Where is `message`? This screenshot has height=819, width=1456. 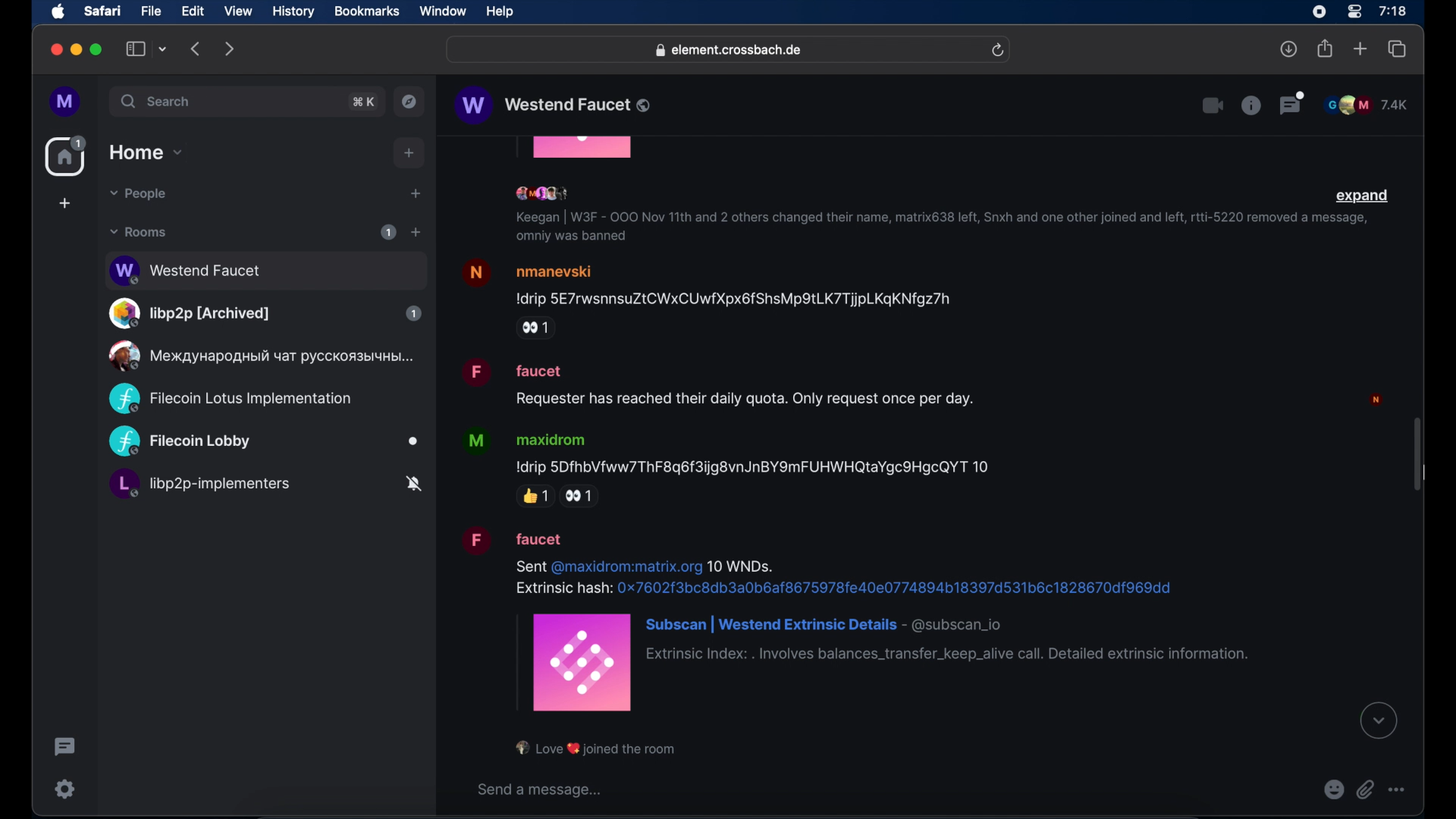 message is located at coordinates (720, 383).